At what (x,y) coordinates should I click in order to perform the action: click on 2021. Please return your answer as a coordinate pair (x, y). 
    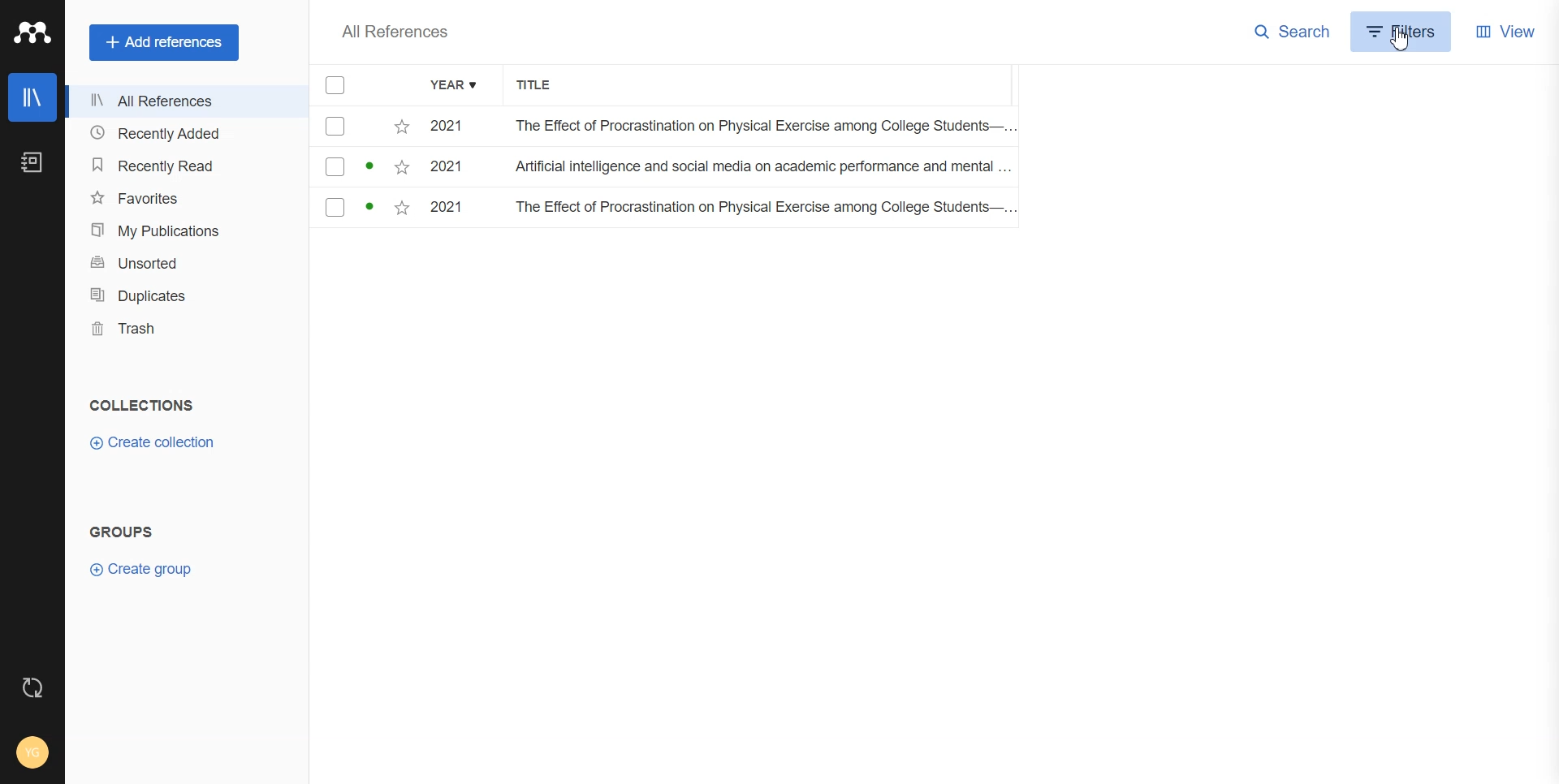
    Looking at the image, I should click on (453, 209).